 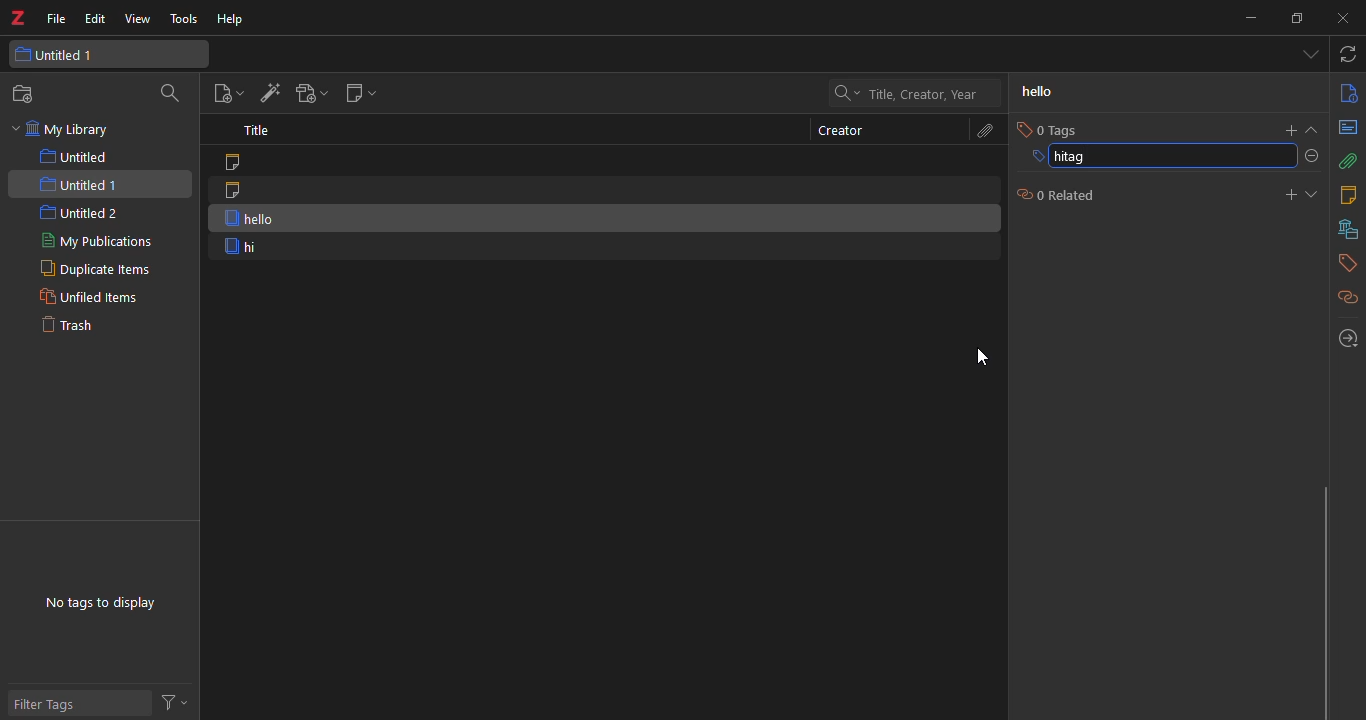 What do you see at coordinates (834, 130) in the screenshot?
I see `creator` at bounding box center [834, 130].